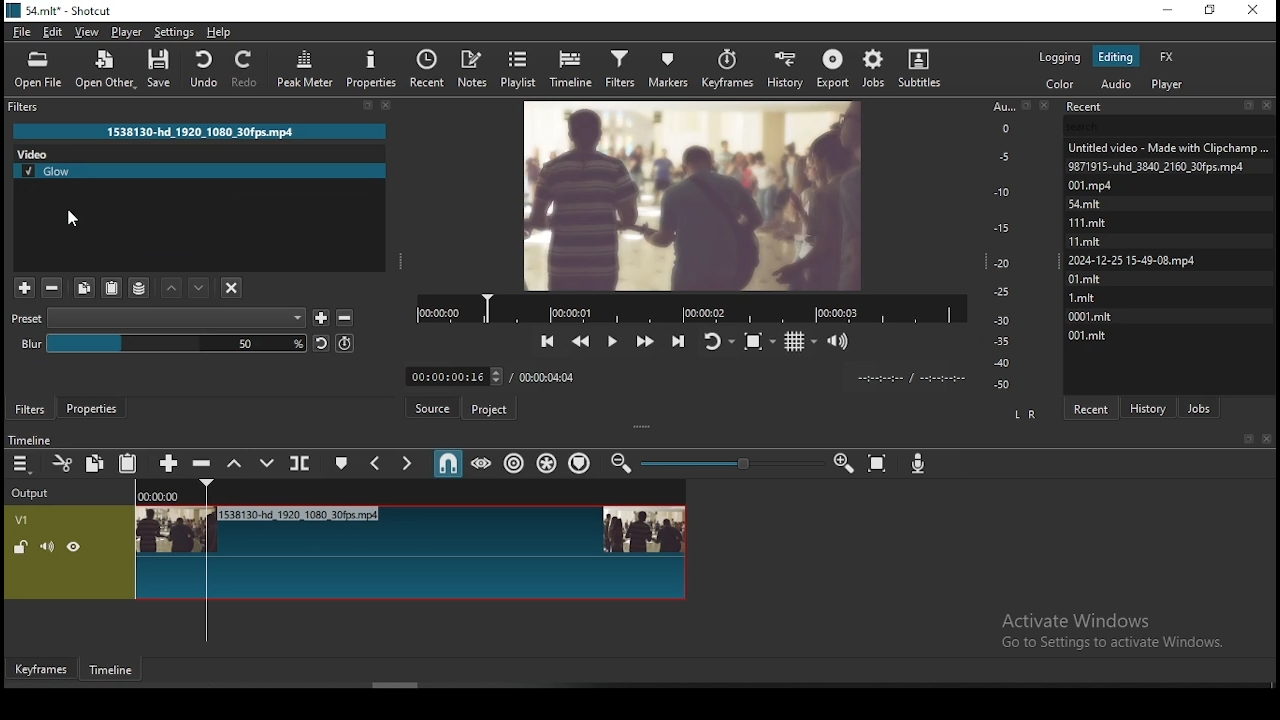  I want to click on L R, so click(1022, 413).